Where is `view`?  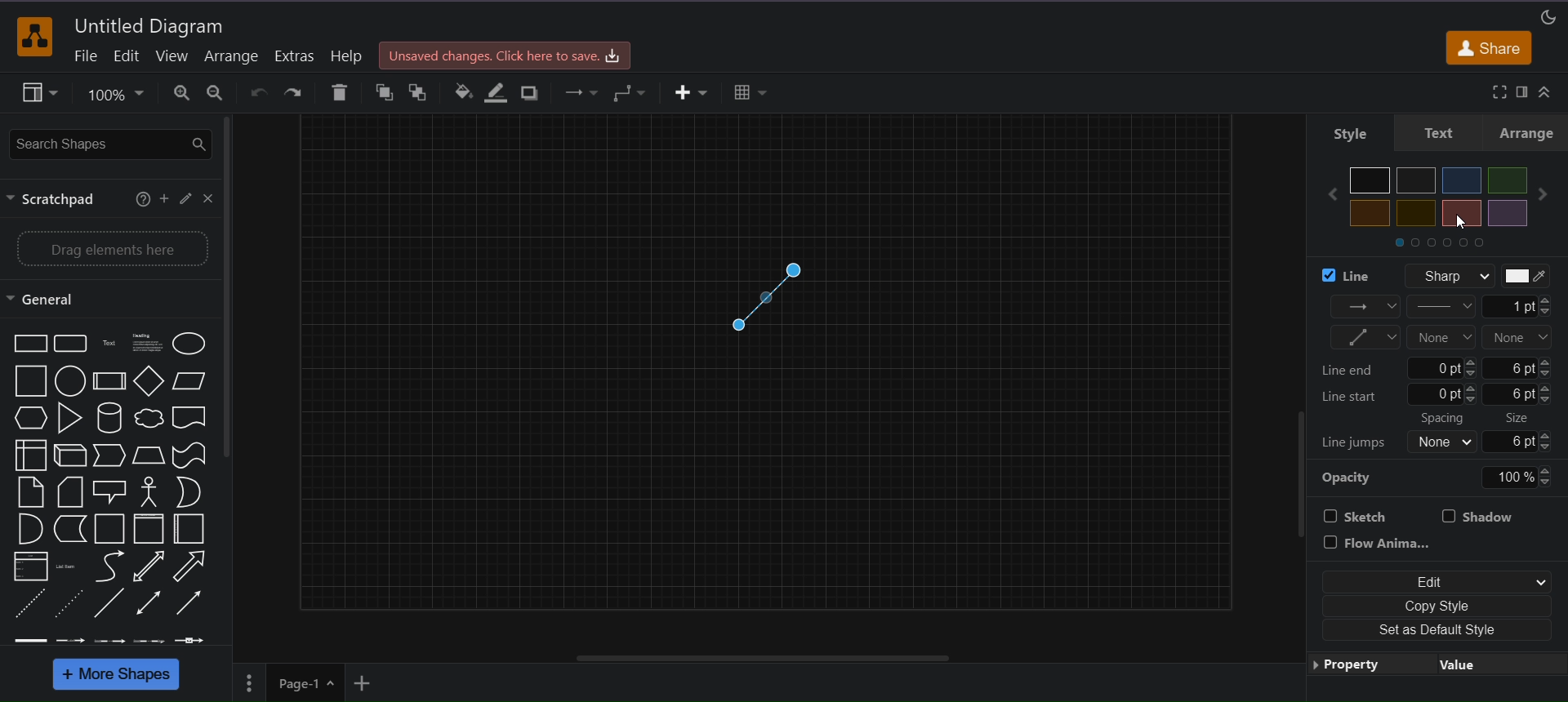 view is located at coordinates (40, 93).